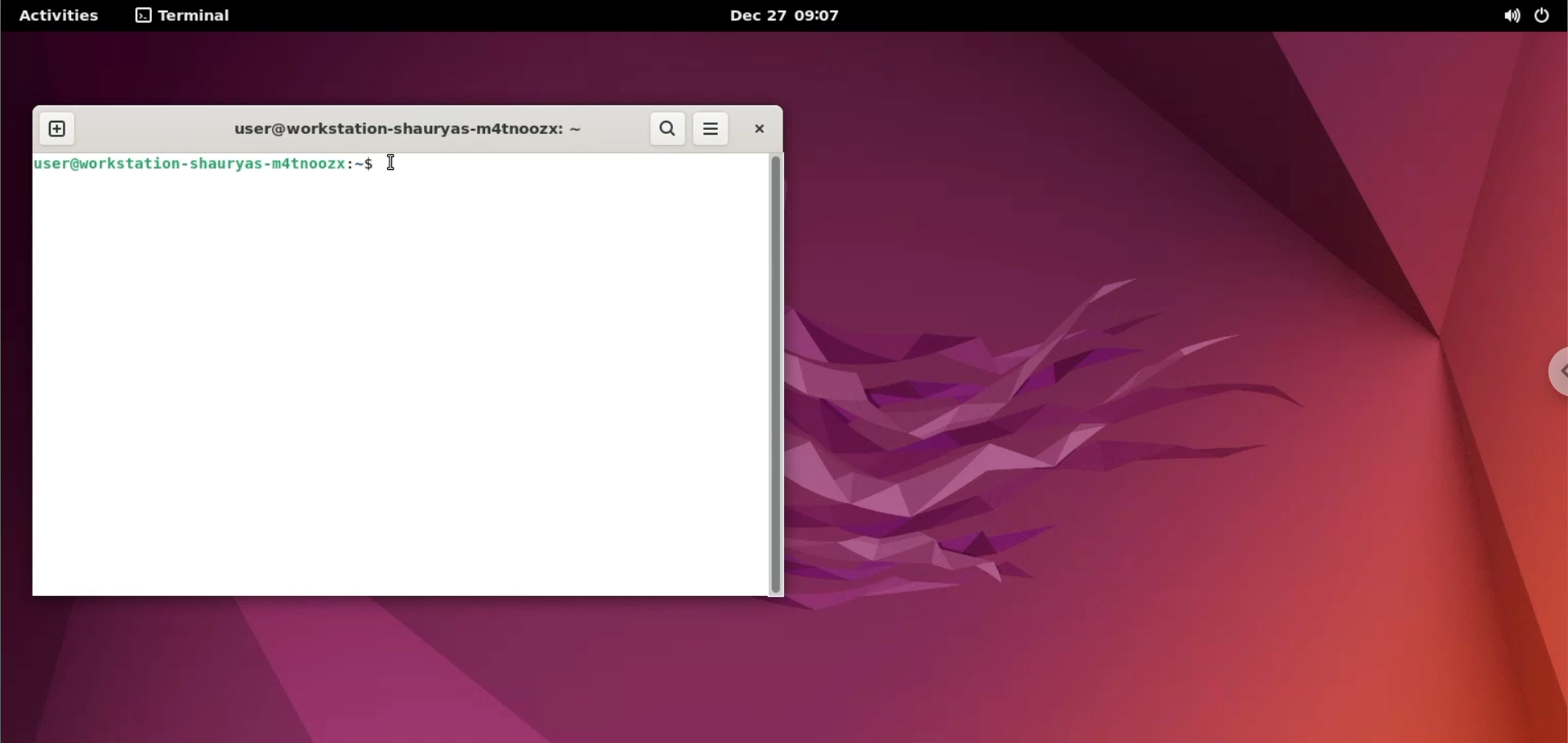 The width and height of the screenshot is (1568, 743). Describe the element at coordinates (203, 162) in the screenshot. I see `user@workstation-shauryas-m4tnoozx:~$` at that location.